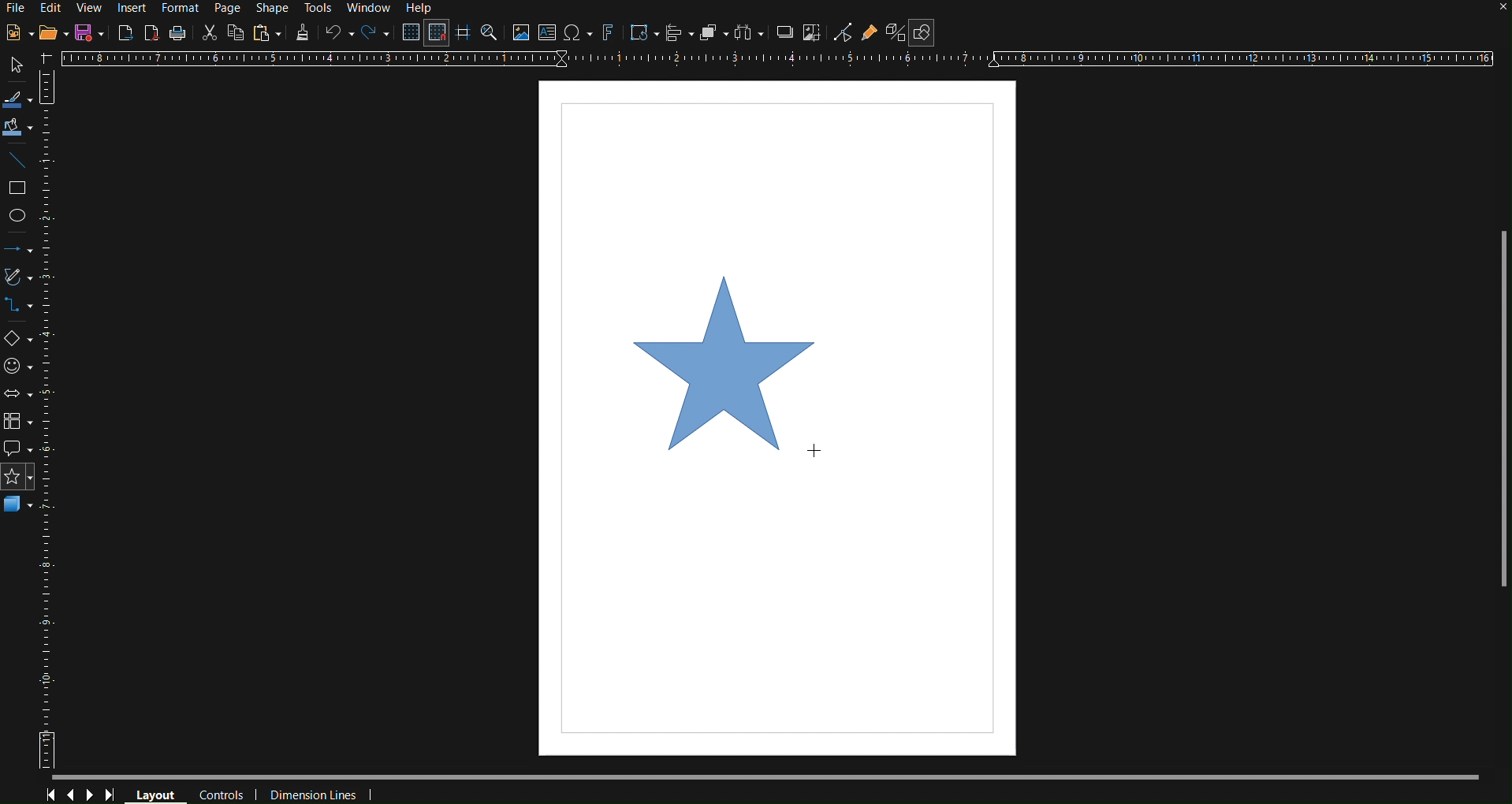 The height and width of the screenshot is (804, 1512). What do you see at coordinates (234, 33) in the screenshot?
I see `Copy` at bounding box center [234, 33].